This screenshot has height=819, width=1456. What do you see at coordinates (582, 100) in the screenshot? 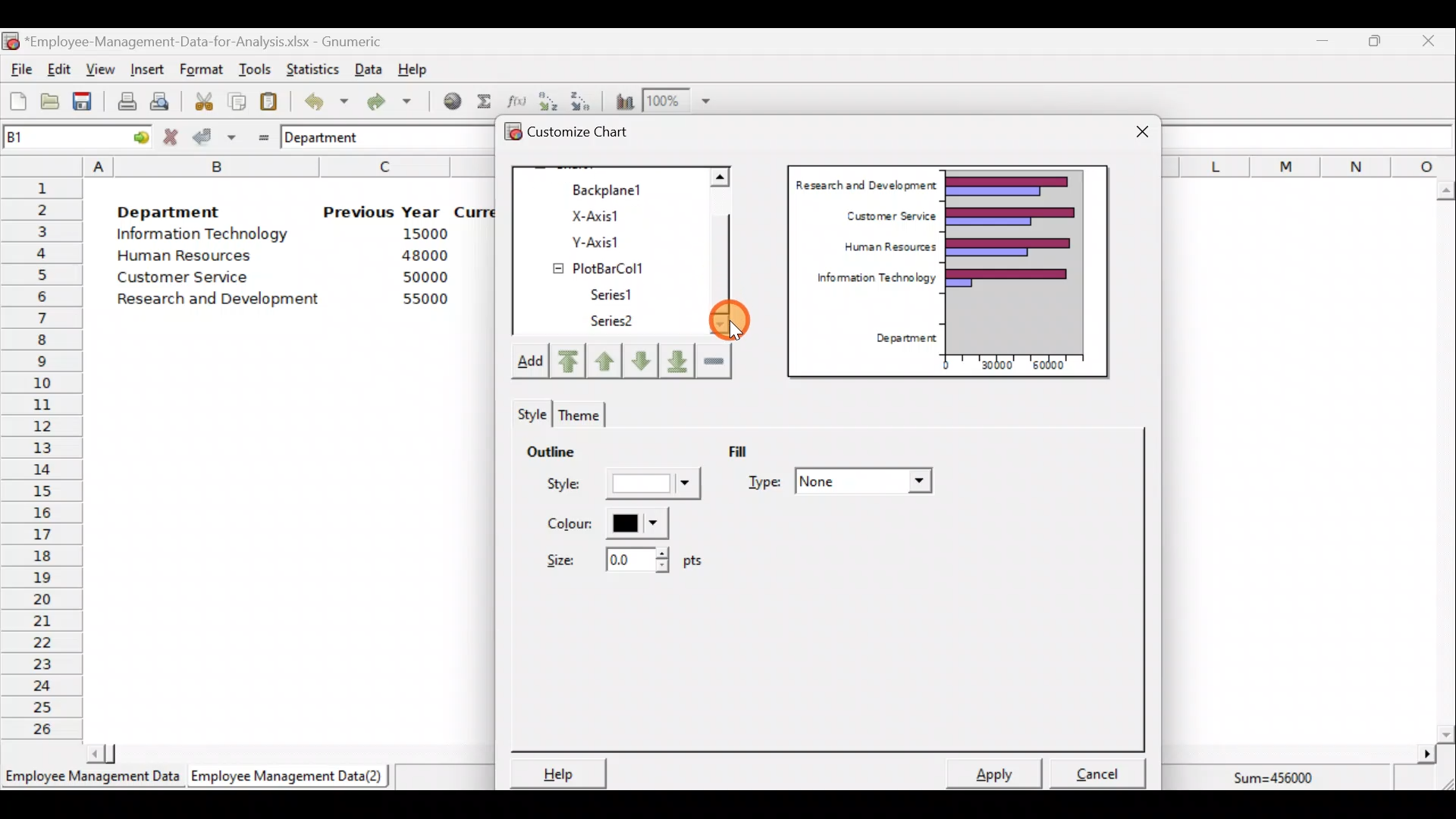
I see `Sort in descending order` at bounding box center [582, 100].